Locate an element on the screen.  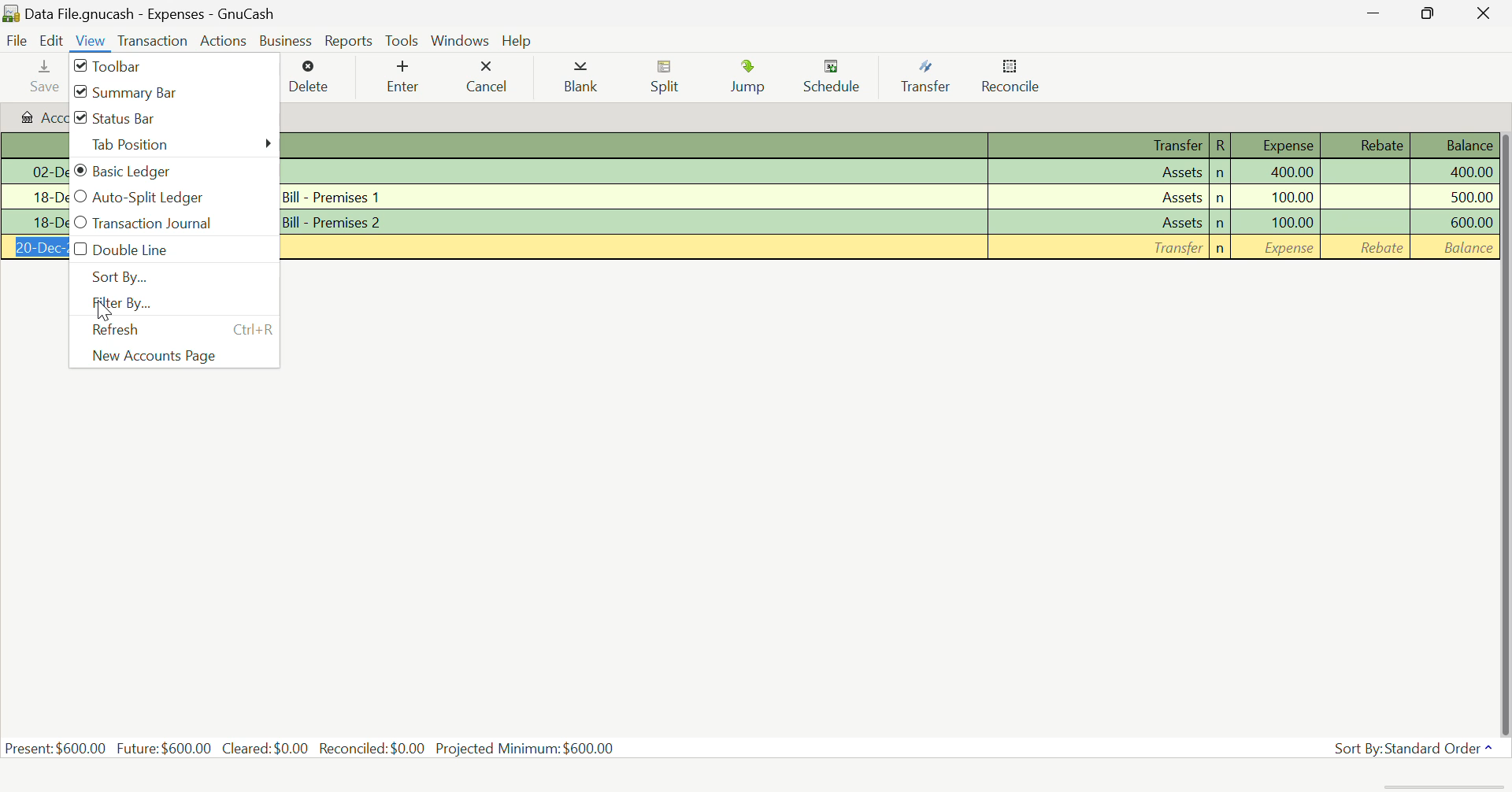
Amount is located at coordinates (1291, 198).